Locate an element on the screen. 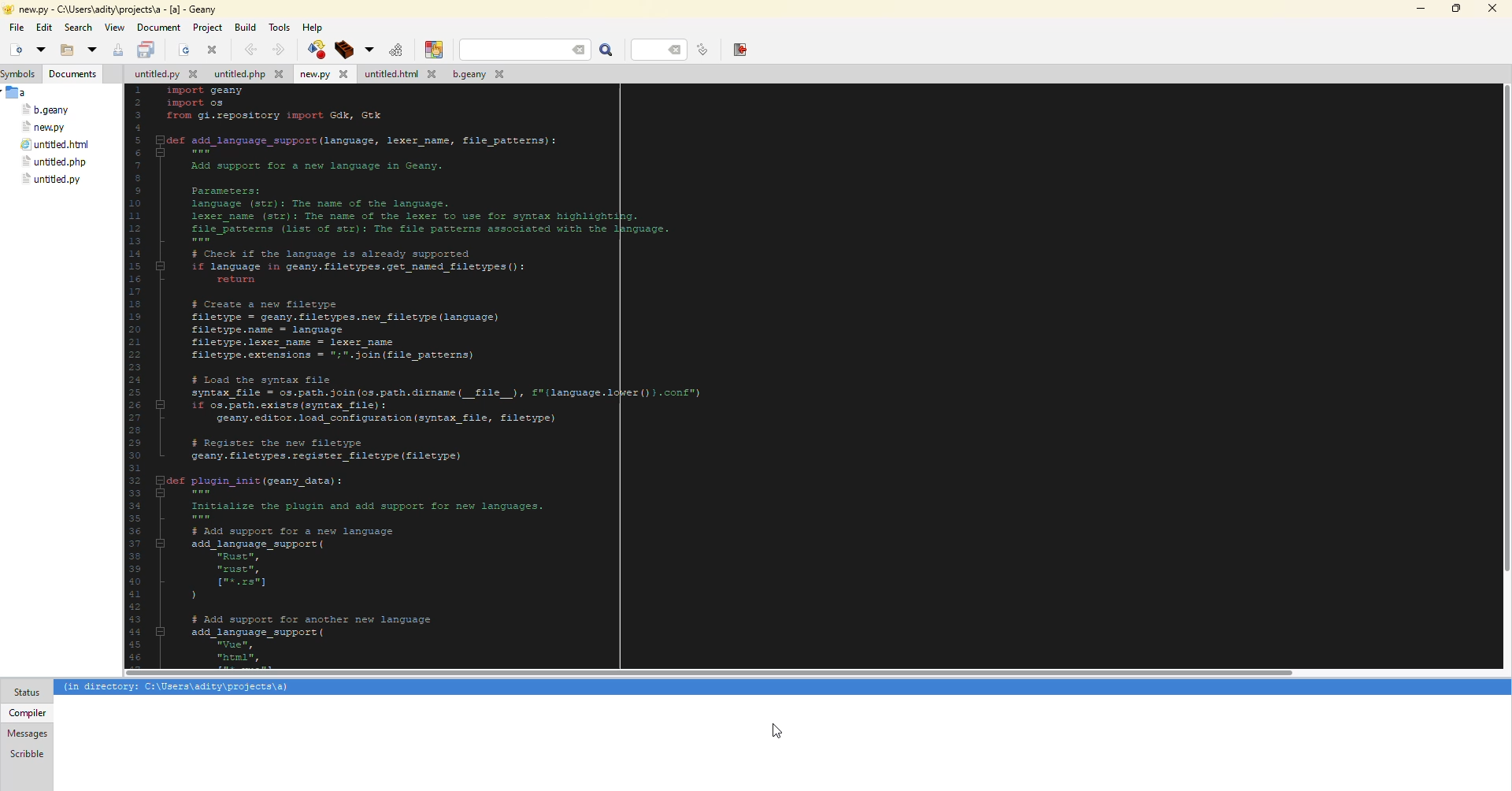  document is located at coordinates (159, 28).